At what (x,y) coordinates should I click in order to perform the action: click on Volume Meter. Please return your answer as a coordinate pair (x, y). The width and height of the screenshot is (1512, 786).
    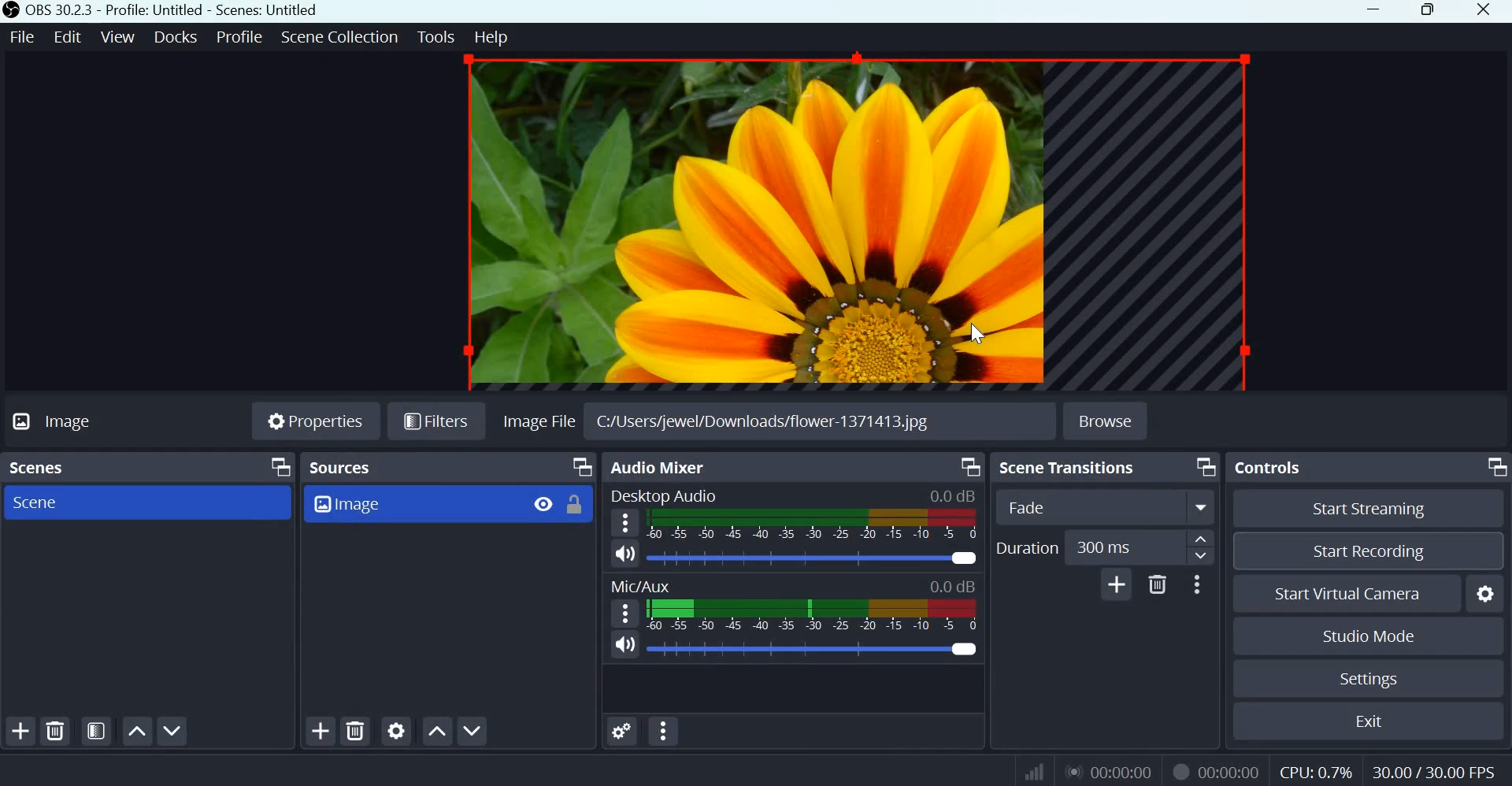
    Looking at the image, I should click on (813, 616).